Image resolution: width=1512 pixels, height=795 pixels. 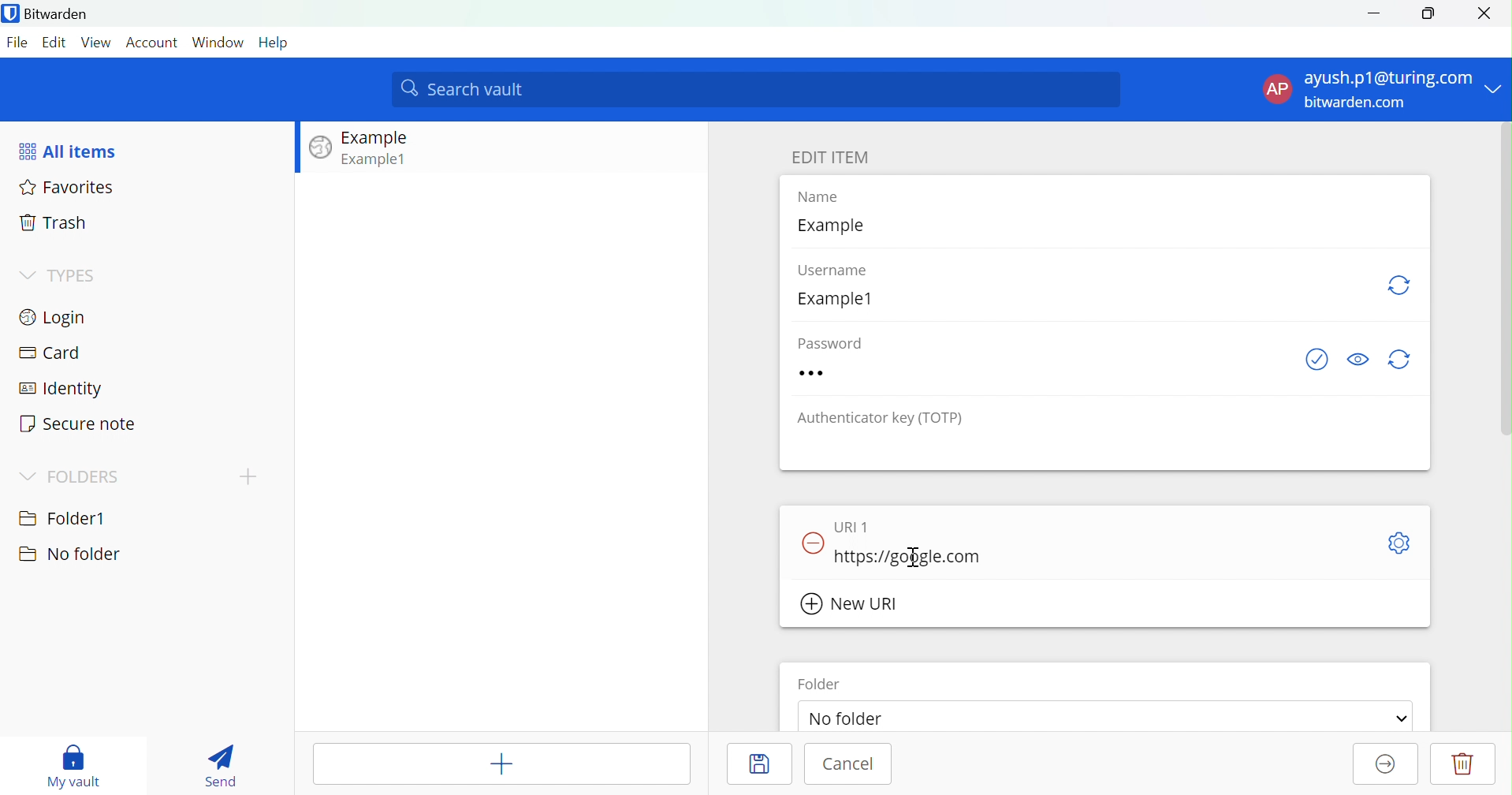 What do you see at coordinates (378, 138) in the screenshot?
I see `Example` at bounding box center [378, 138].